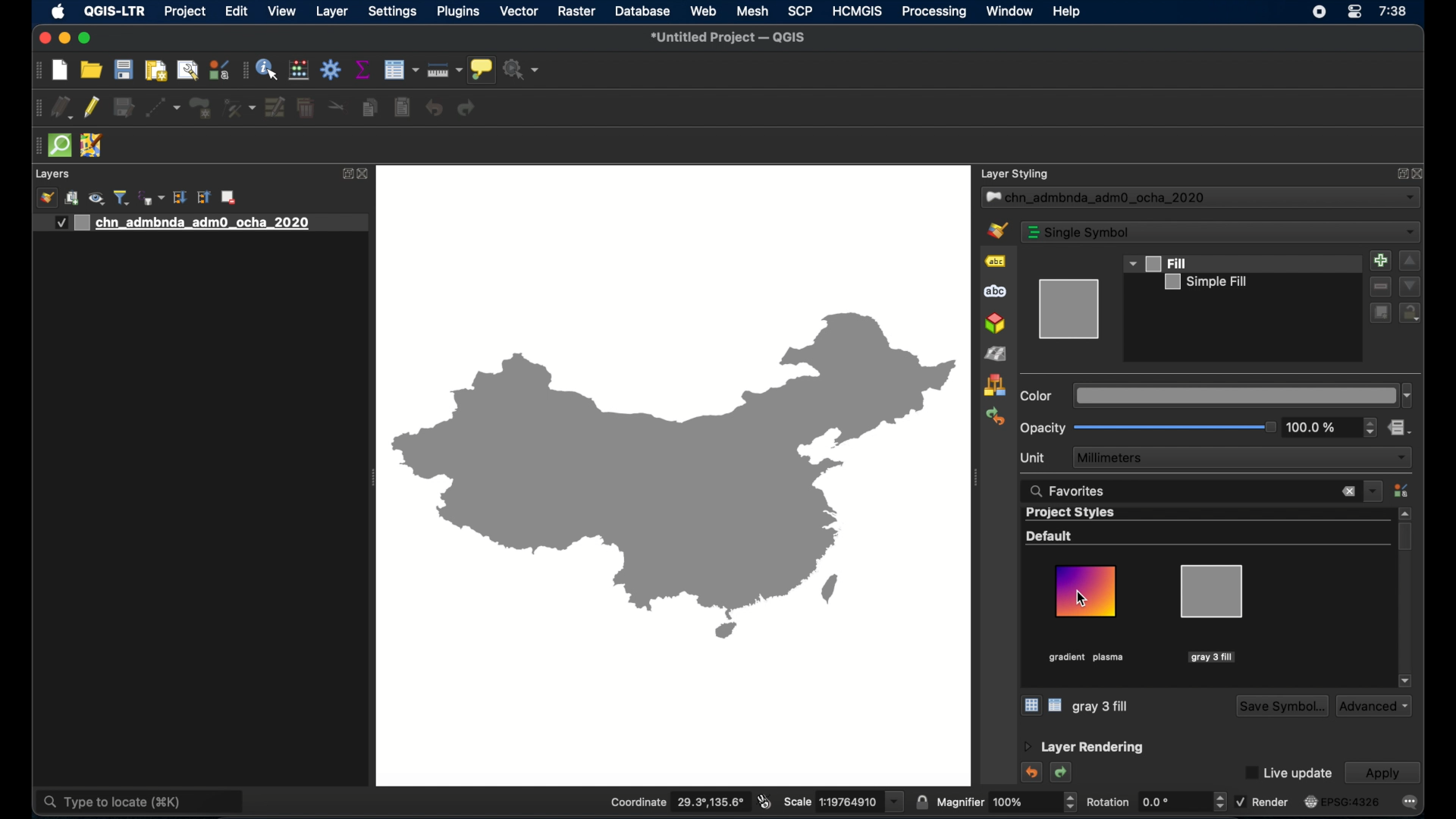  I want to click on opacity level, so click(1314, 427).